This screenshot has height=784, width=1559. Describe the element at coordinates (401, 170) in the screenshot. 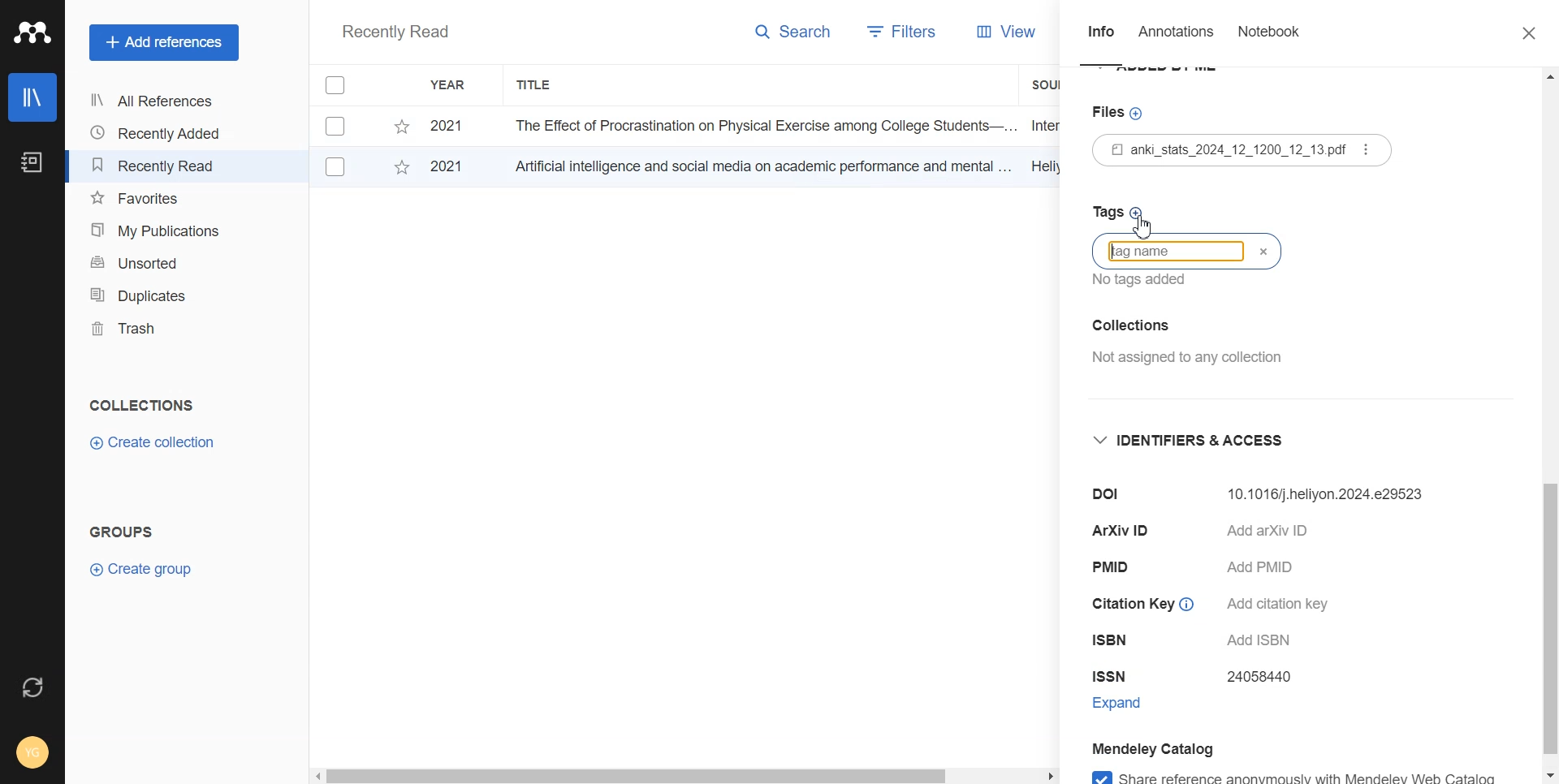

I see `Starred` at that location.